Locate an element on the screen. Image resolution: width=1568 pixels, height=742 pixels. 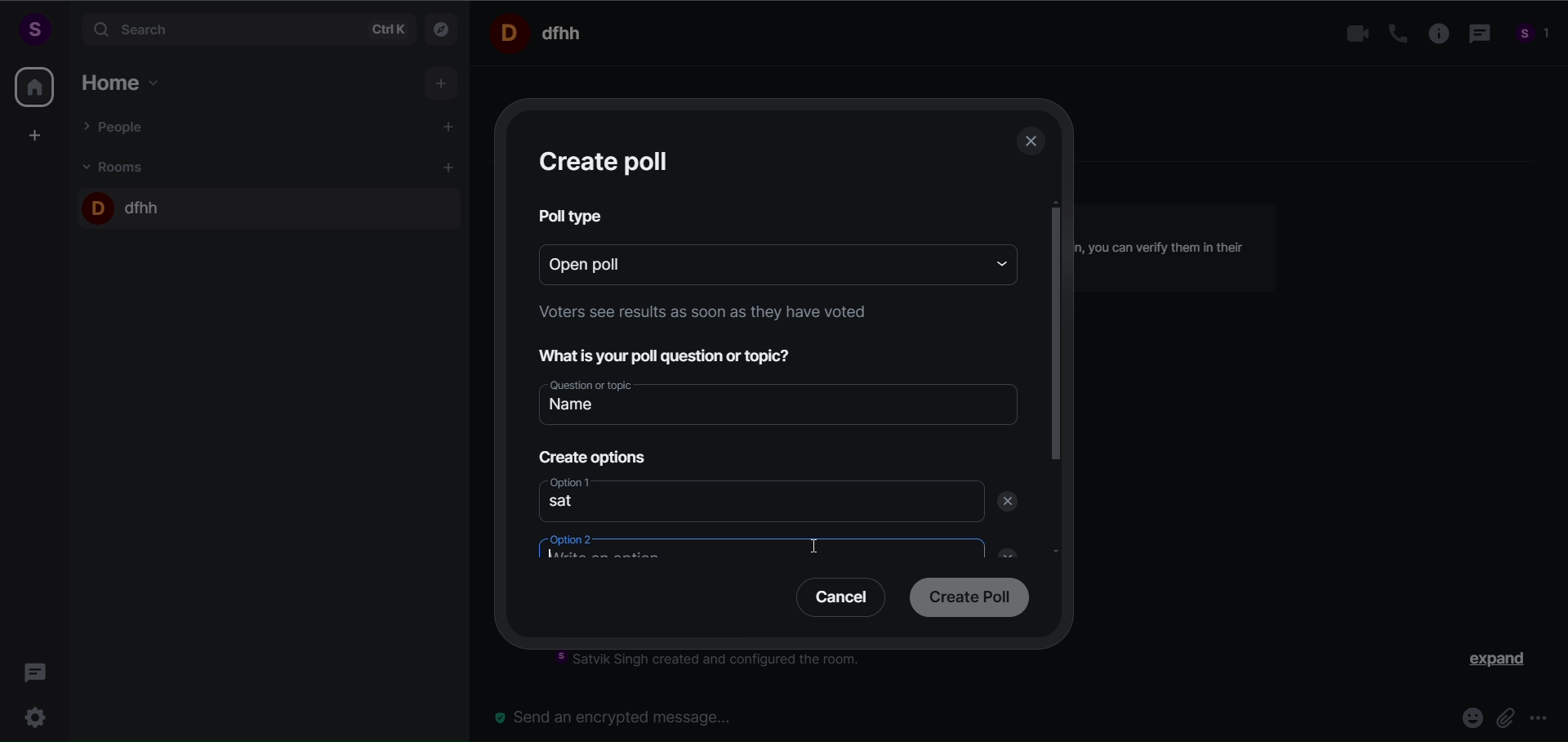
rooms is located at coordinates (118, 166).